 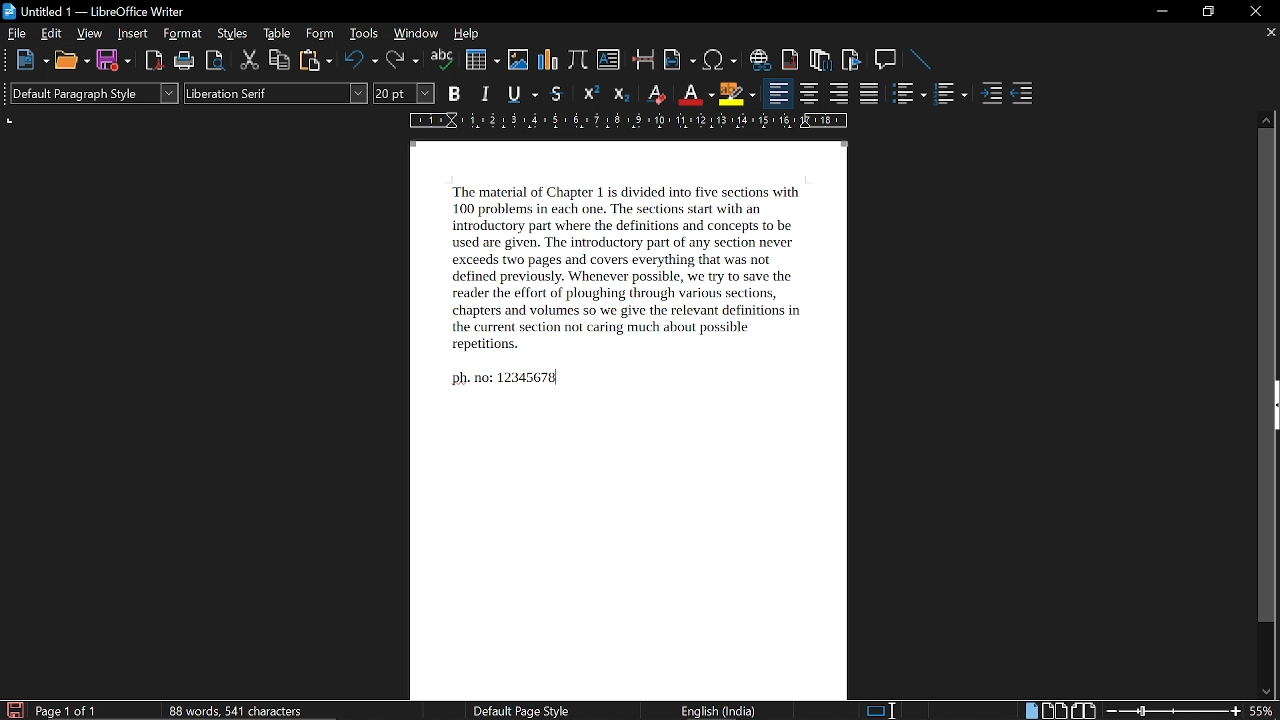 What do you see at coordinates (992, 94) in the screenshot?
I see `increase indent` at bounding box center [992, 94].